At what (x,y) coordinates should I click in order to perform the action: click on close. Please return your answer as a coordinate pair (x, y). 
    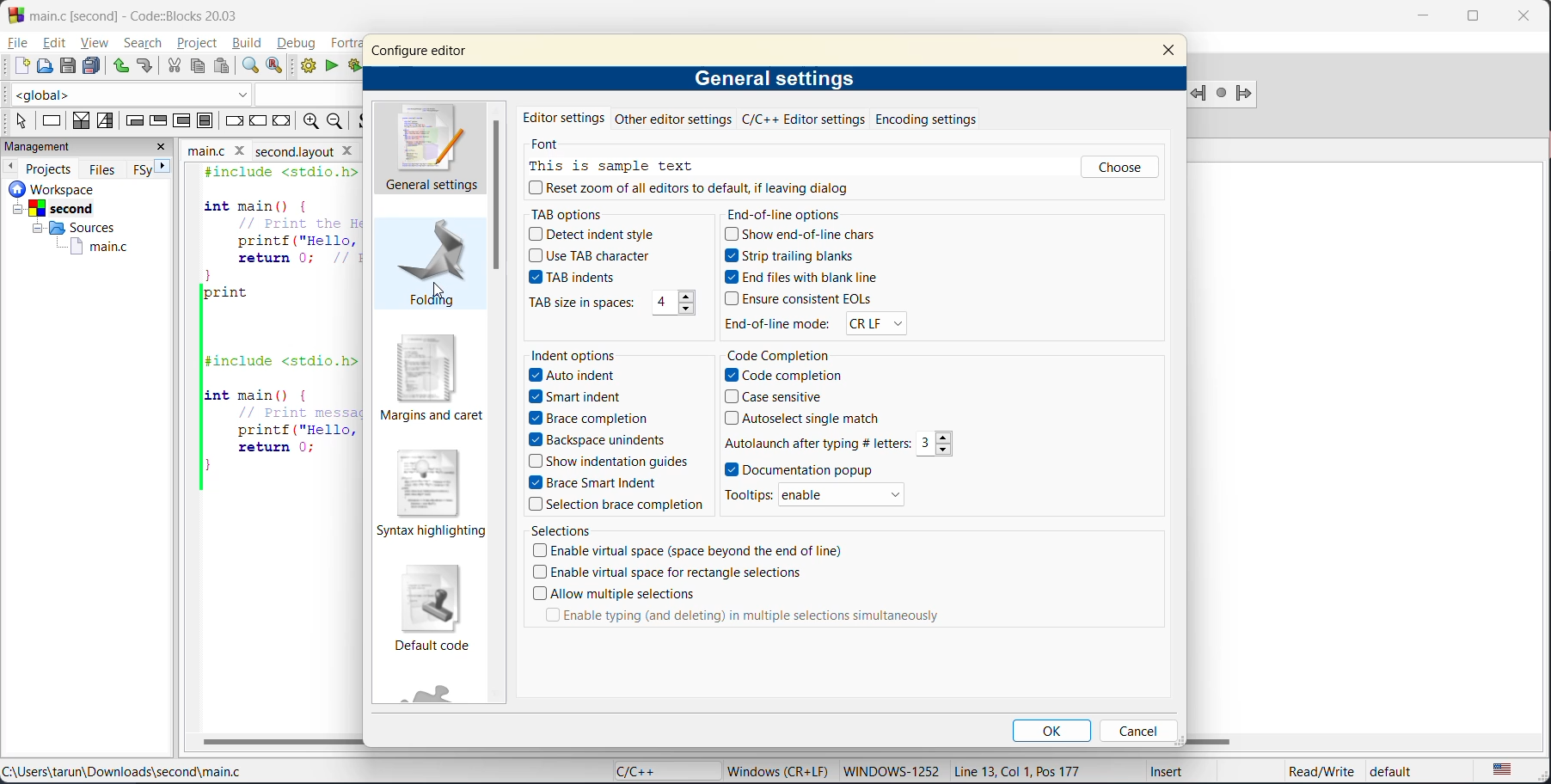
    Looking at the image, I should click on (1518, 19).